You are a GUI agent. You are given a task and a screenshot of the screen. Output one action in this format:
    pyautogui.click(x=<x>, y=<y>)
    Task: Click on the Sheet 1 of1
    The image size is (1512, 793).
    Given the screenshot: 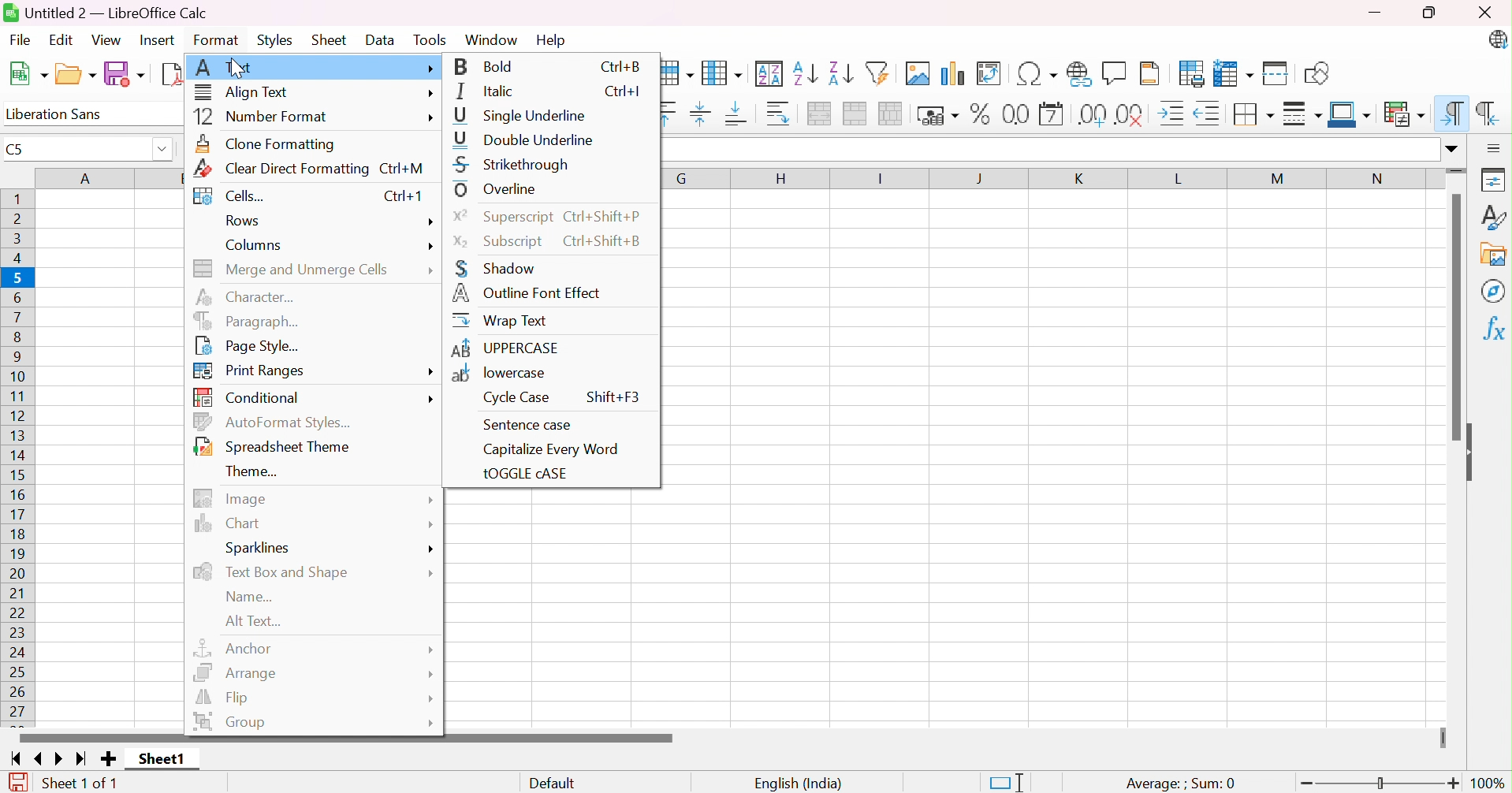 What is the action you would take?
    pyautogui.click(x=80, y=784)
    